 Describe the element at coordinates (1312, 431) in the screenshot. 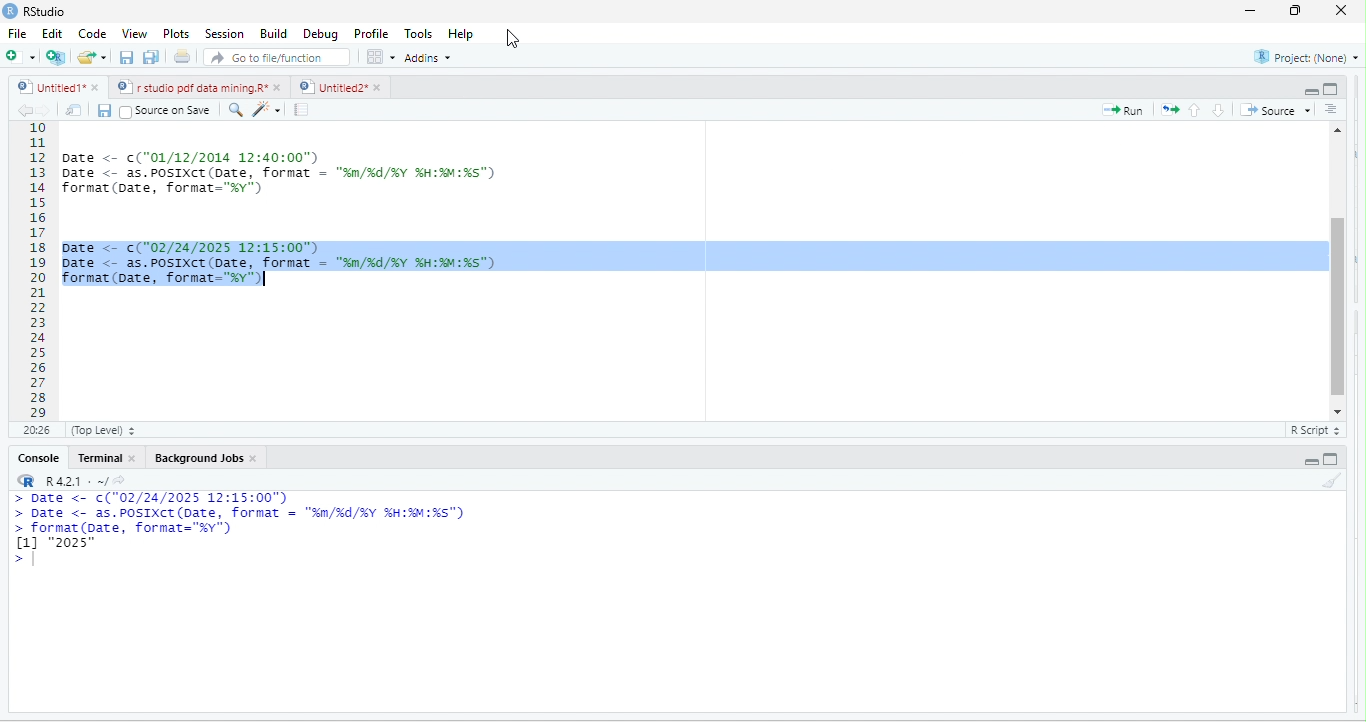

I see `R Script &` at that location.